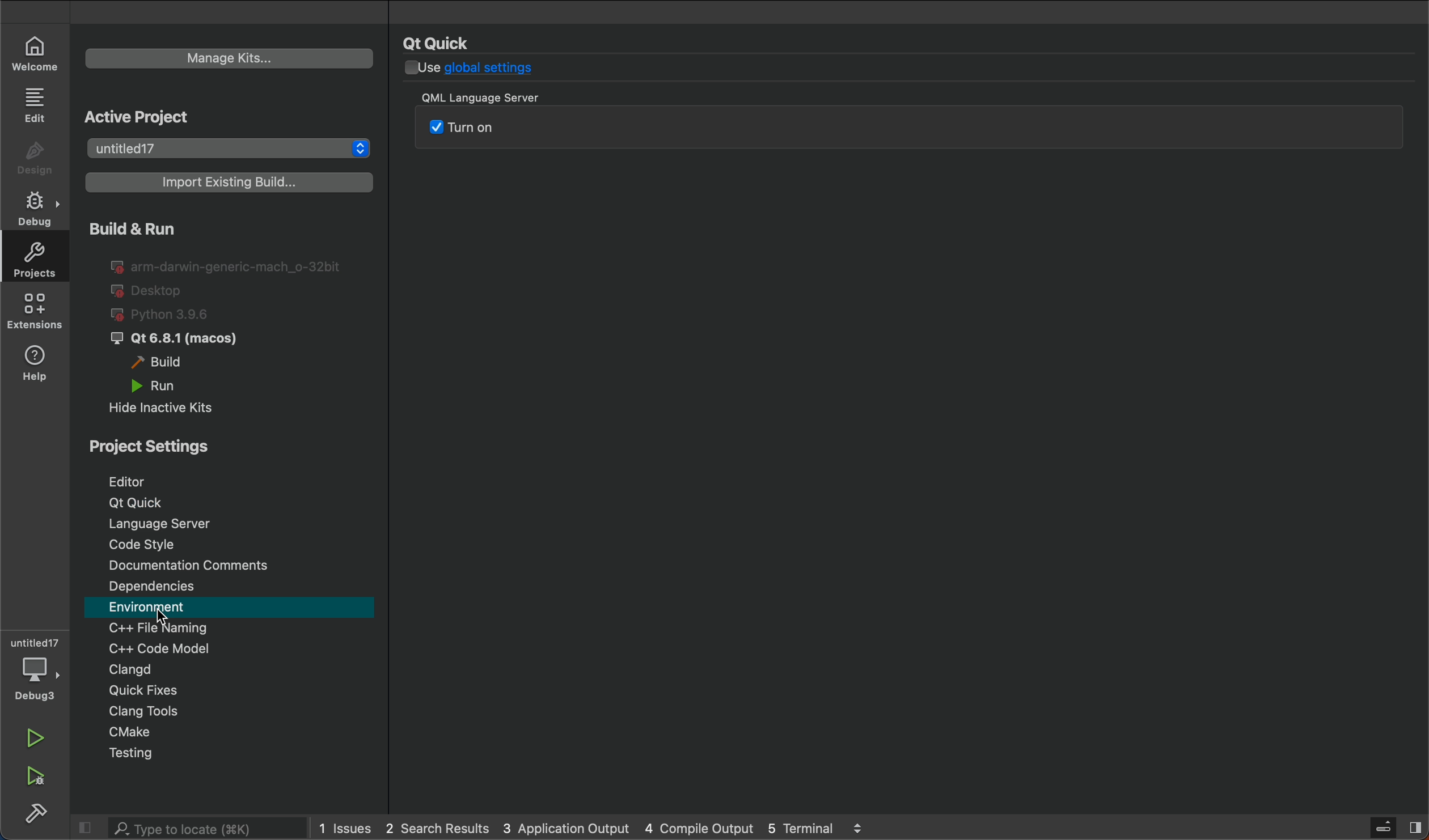 The height and width of the screenshot is (840, 1429). Describe the element at coordinates (232, 648) in the screenshot. I see `code modal` at that location.